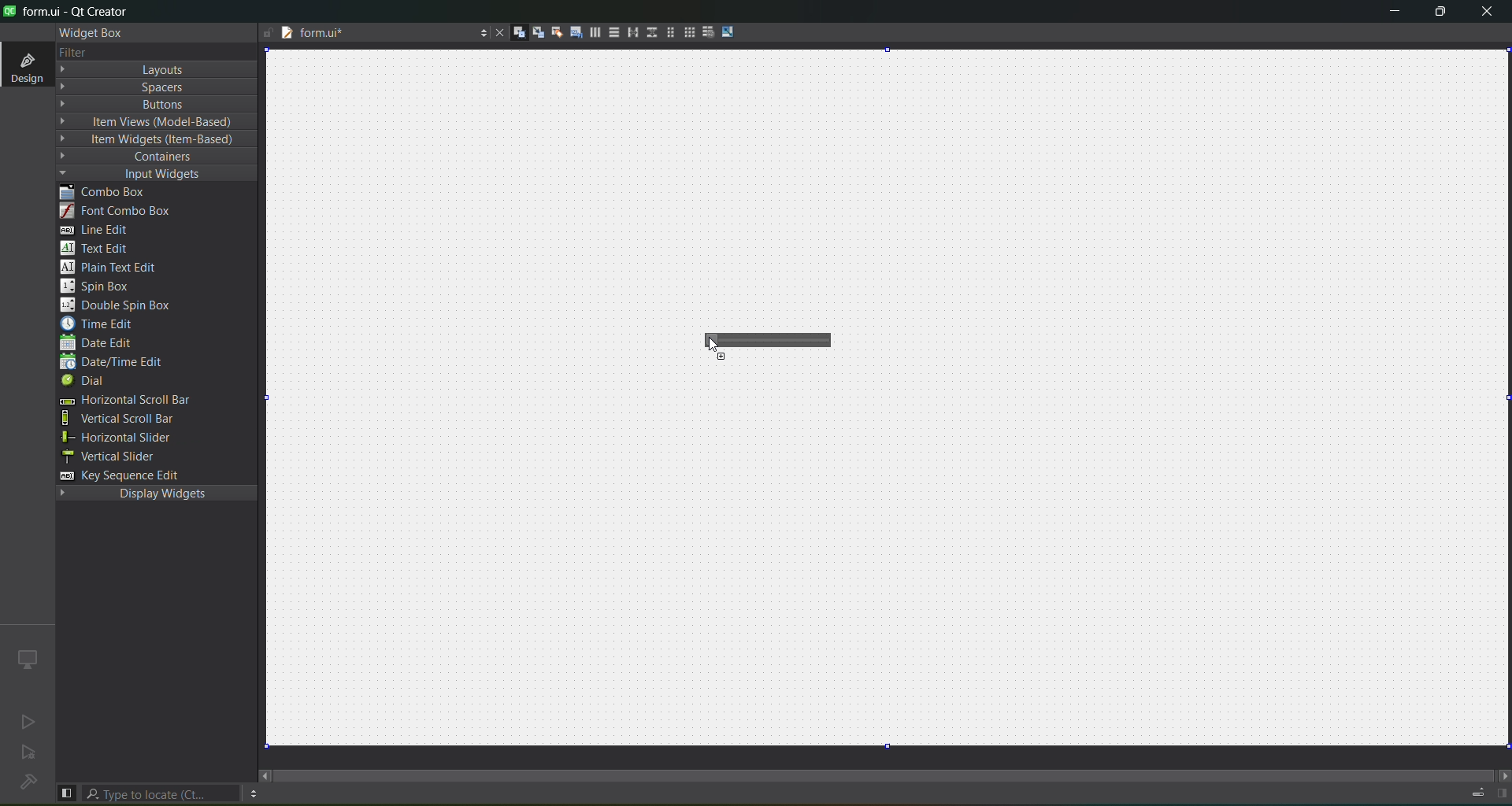 The width and height of the screenshot is (1512, 806). What do you see at coordinates (512, 33) in the screenshot?
I see `widgets` at bounding box center [512, 33].